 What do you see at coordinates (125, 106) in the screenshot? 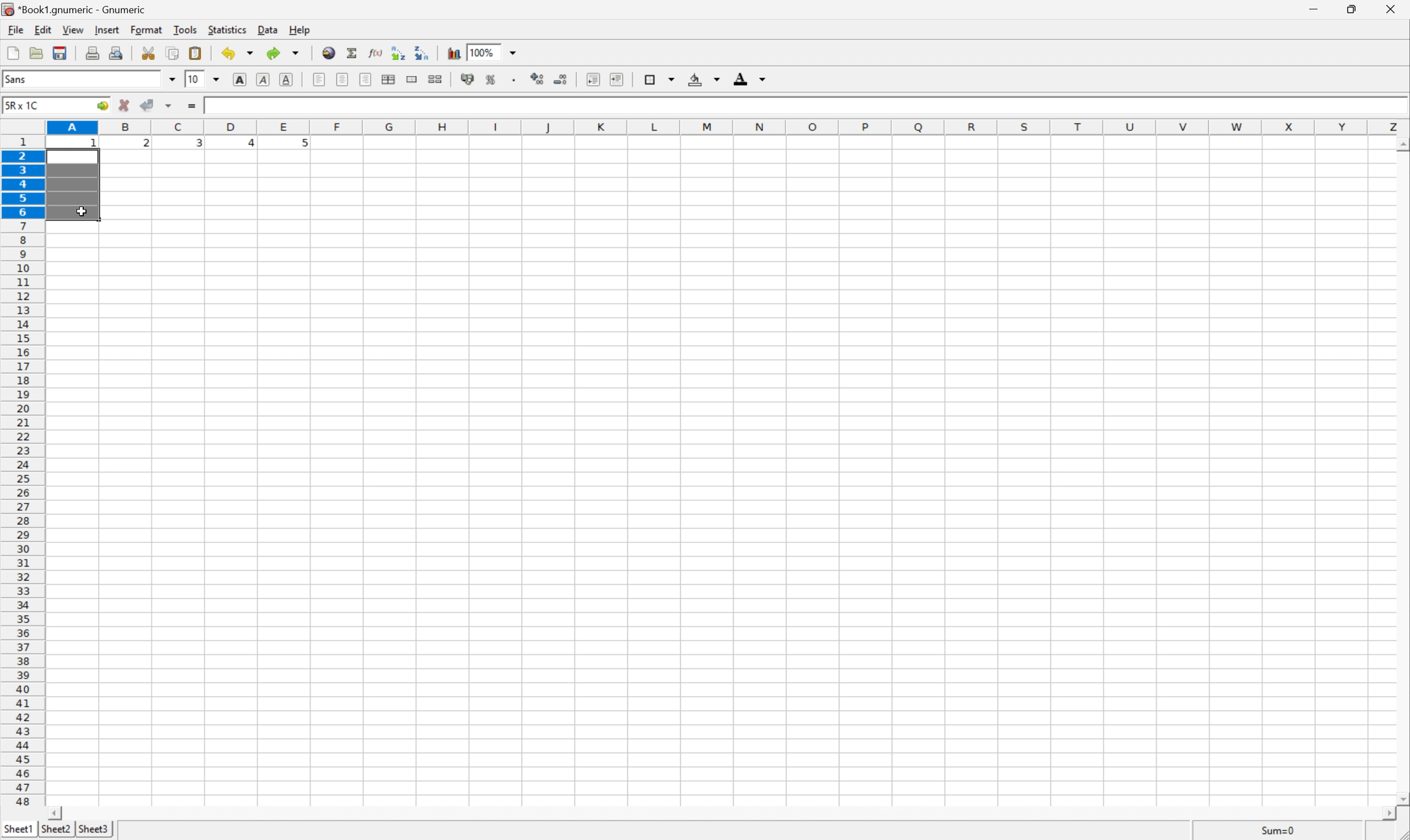
I see `cancel change` at bounding box center [125, 106].